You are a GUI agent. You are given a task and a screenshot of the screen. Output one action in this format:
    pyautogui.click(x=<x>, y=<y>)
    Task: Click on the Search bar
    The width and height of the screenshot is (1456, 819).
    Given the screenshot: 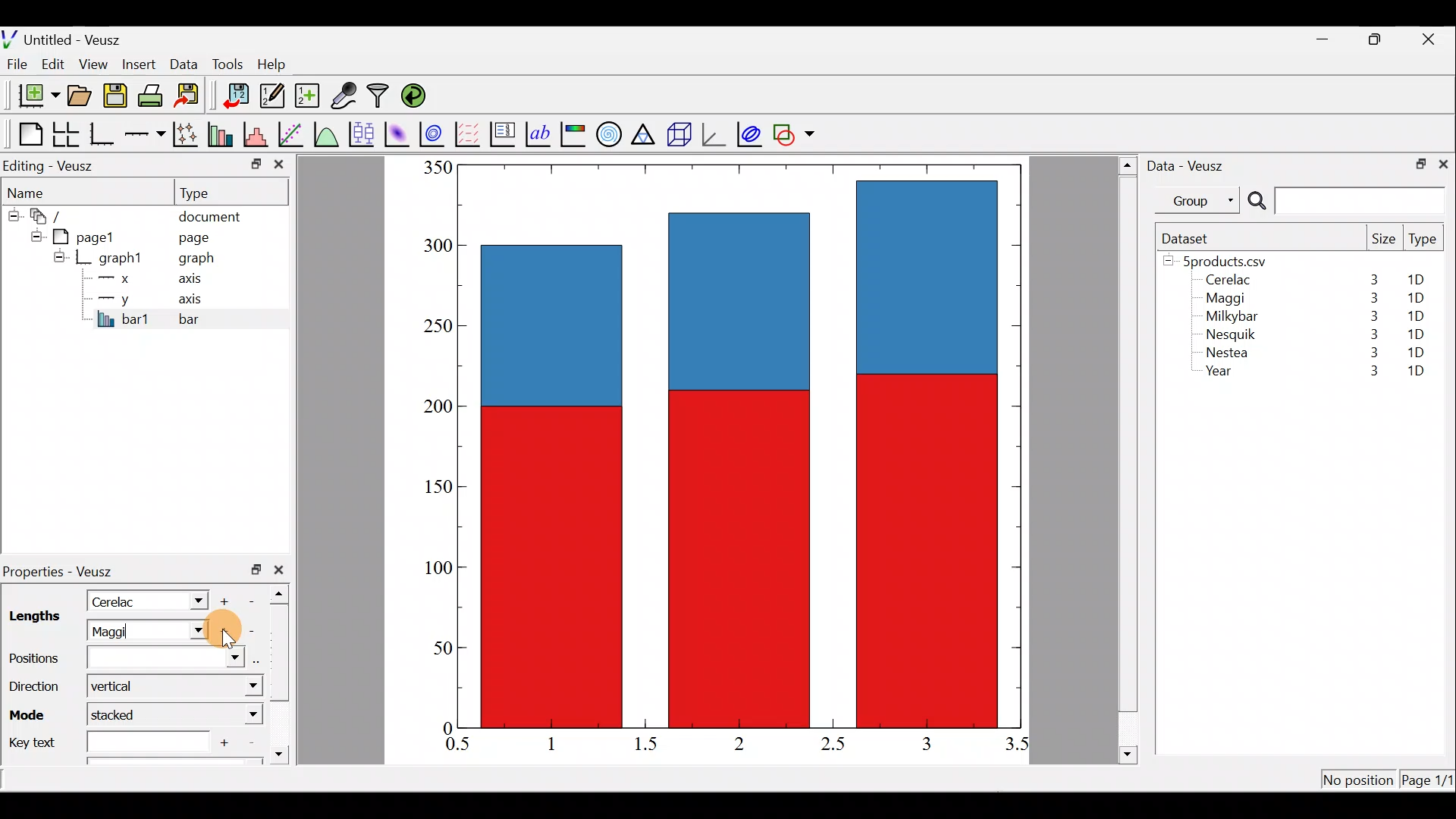 What is the action you would take?
    pyautogui.click(x=1344, y=201)
    